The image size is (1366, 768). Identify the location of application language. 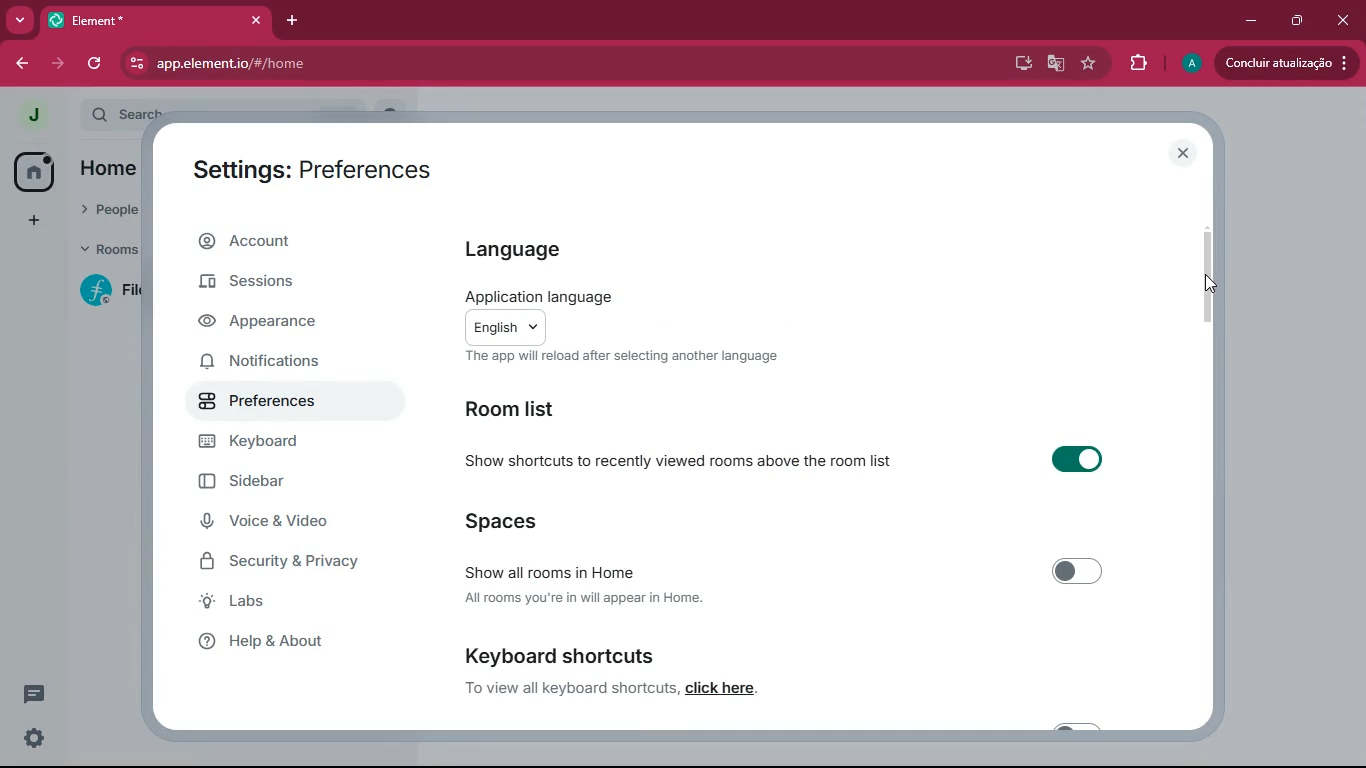
(542, 297).